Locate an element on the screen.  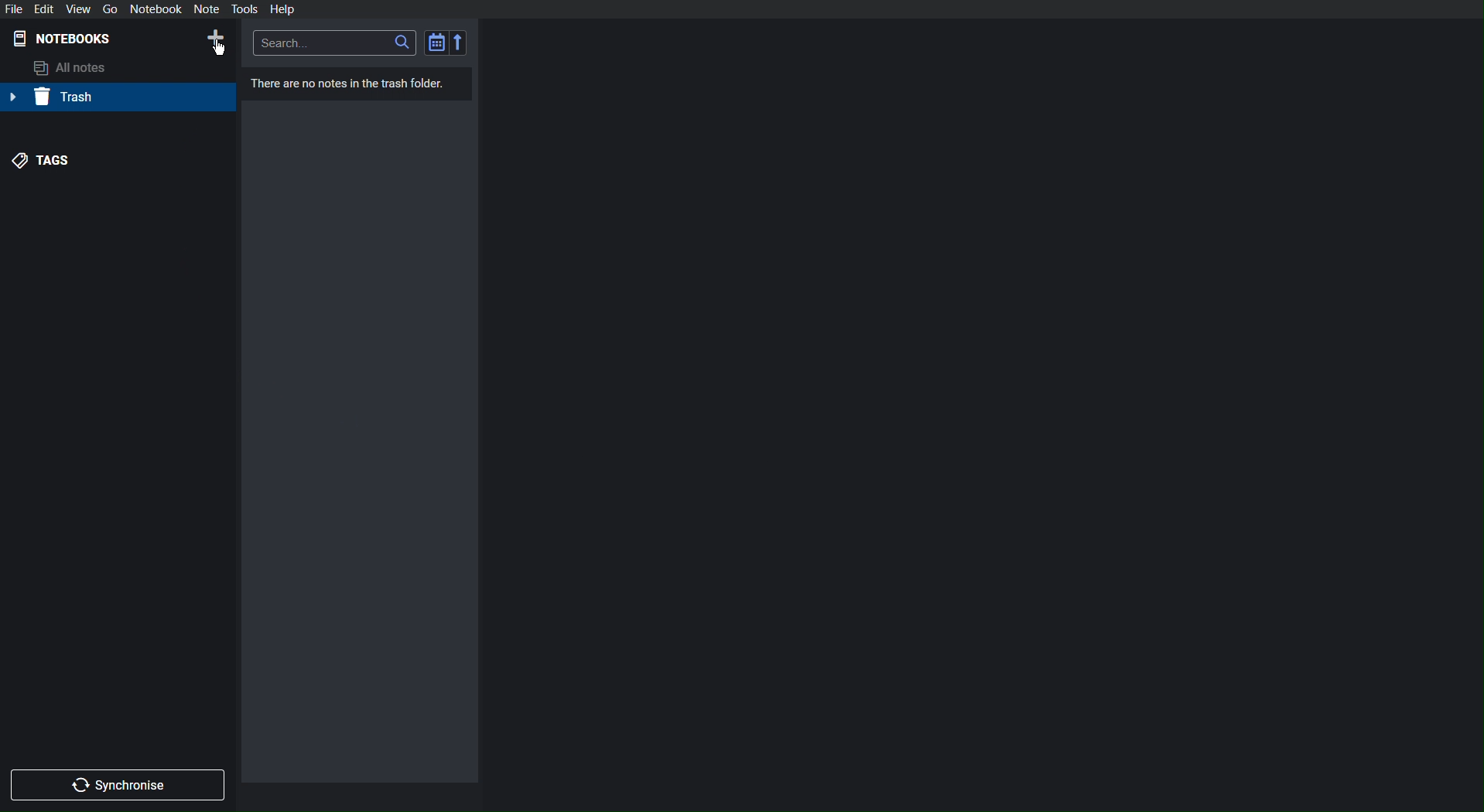
Sort is located at coordinates (447, 42).